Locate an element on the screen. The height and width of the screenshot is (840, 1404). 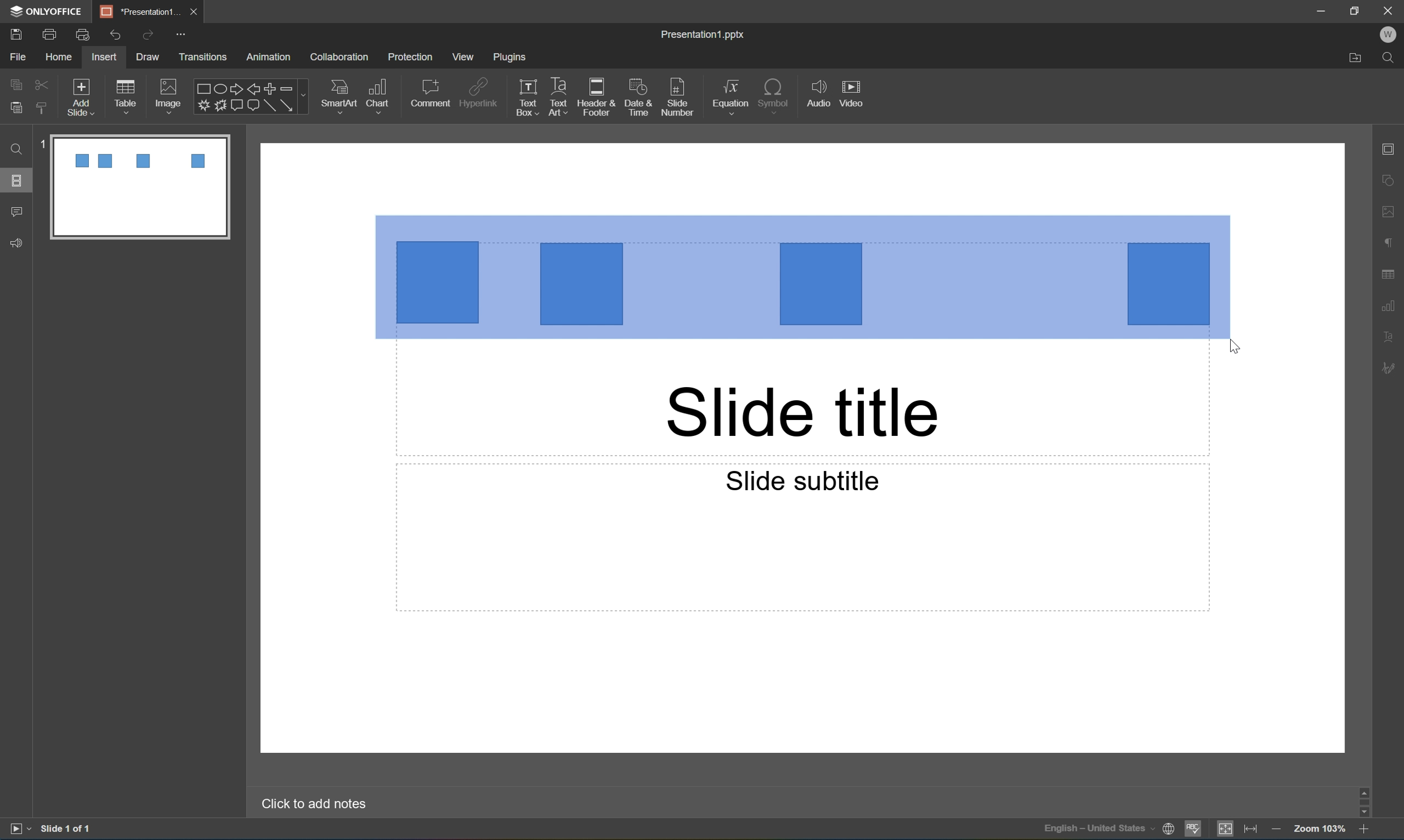
text art settings is located at coordinates (1394, 337).